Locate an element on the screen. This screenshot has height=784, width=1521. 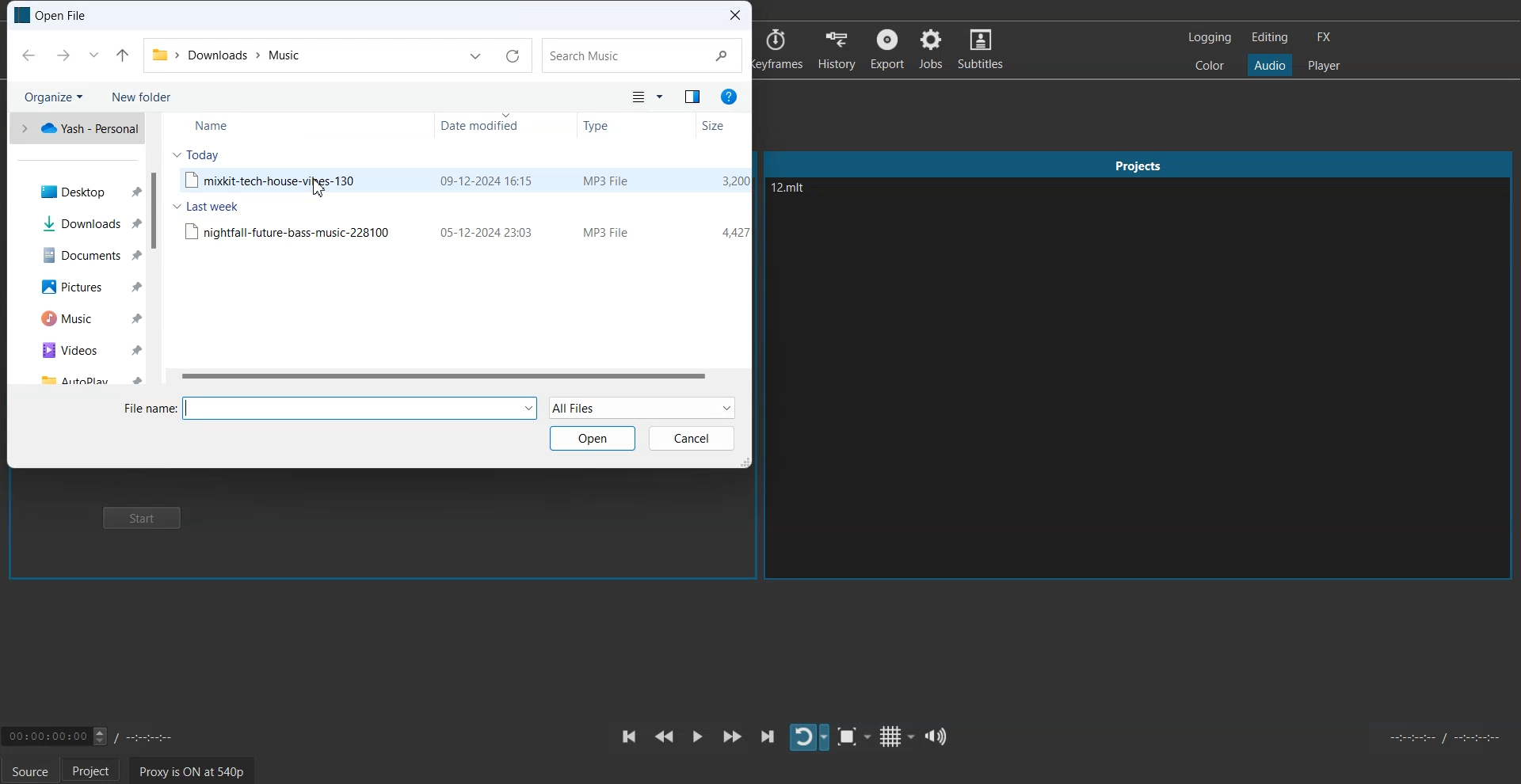
Horizontal Scroll Bar is located at coordinates (456, 377).